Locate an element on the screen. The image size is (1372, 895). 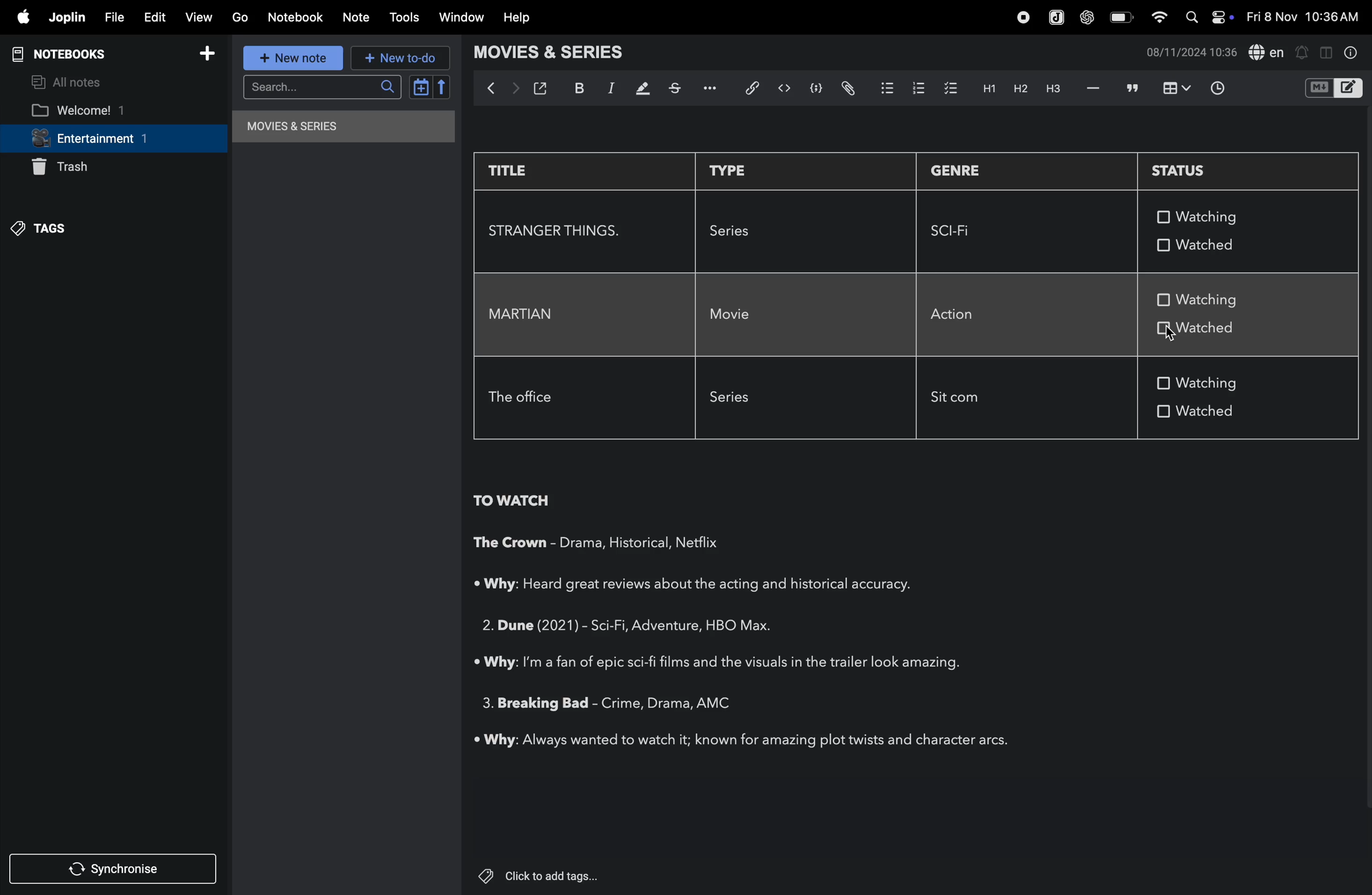
action is located at coordinates (963, 313).